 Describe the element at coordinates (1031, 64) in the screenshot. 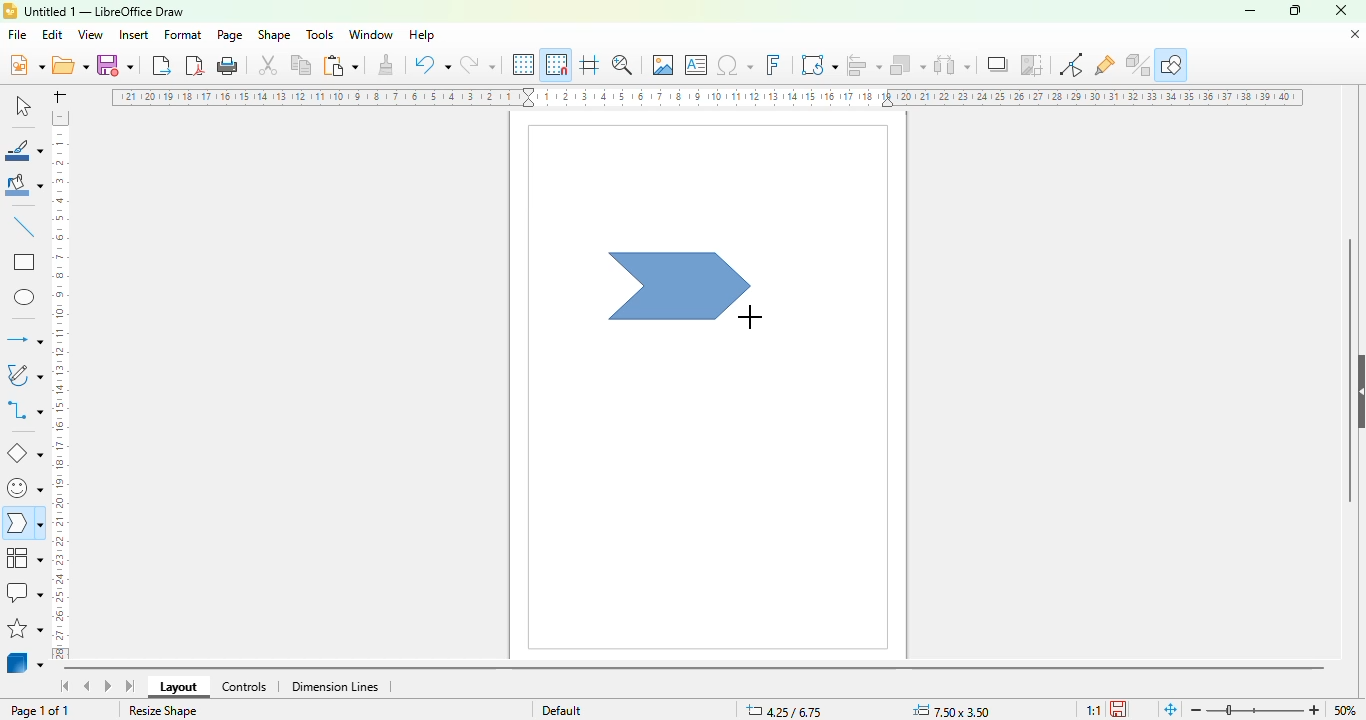

I see `crop image` at that location.